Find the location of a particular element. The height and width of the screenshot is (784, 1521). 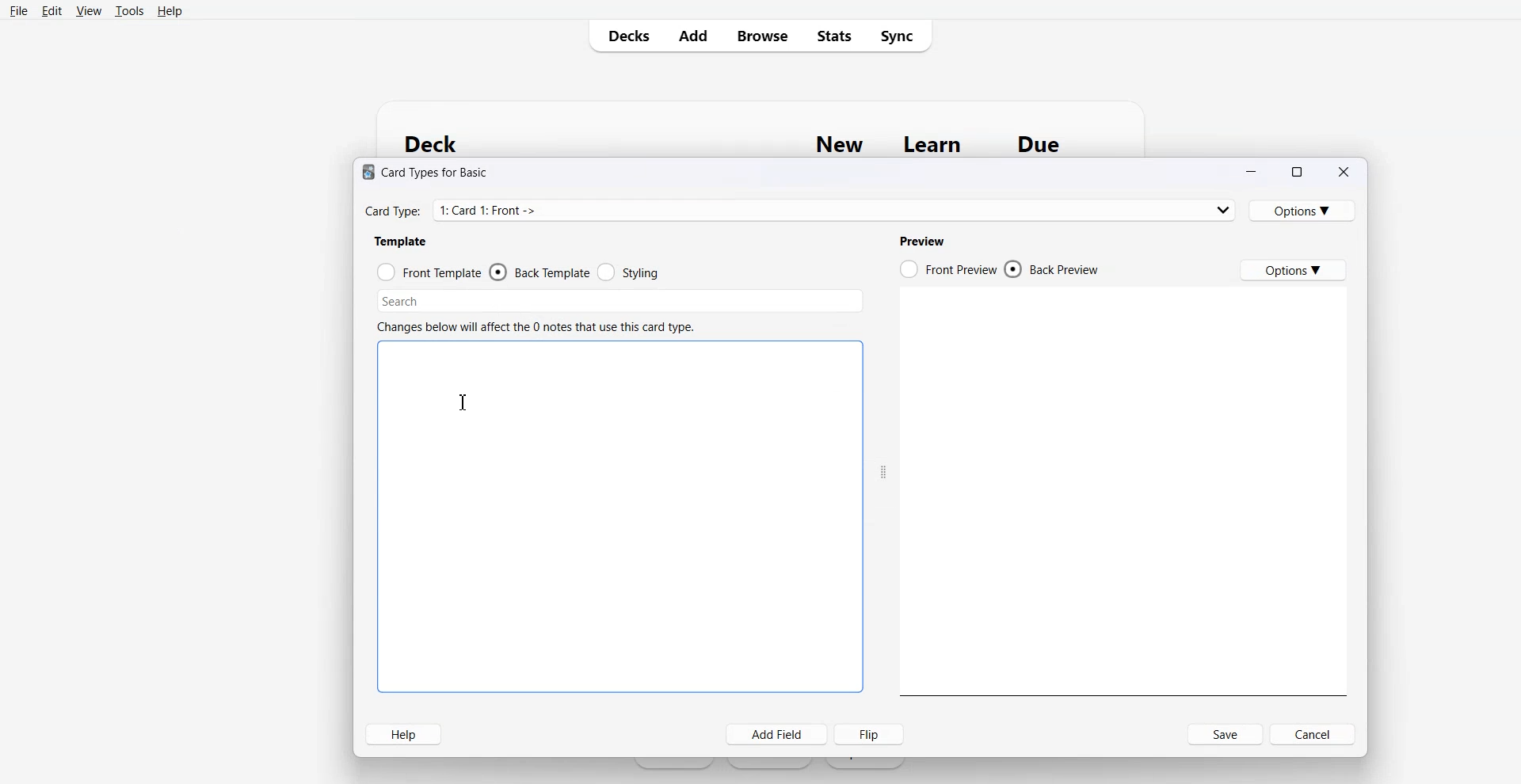

Front template is located at coordinates (436, 272).